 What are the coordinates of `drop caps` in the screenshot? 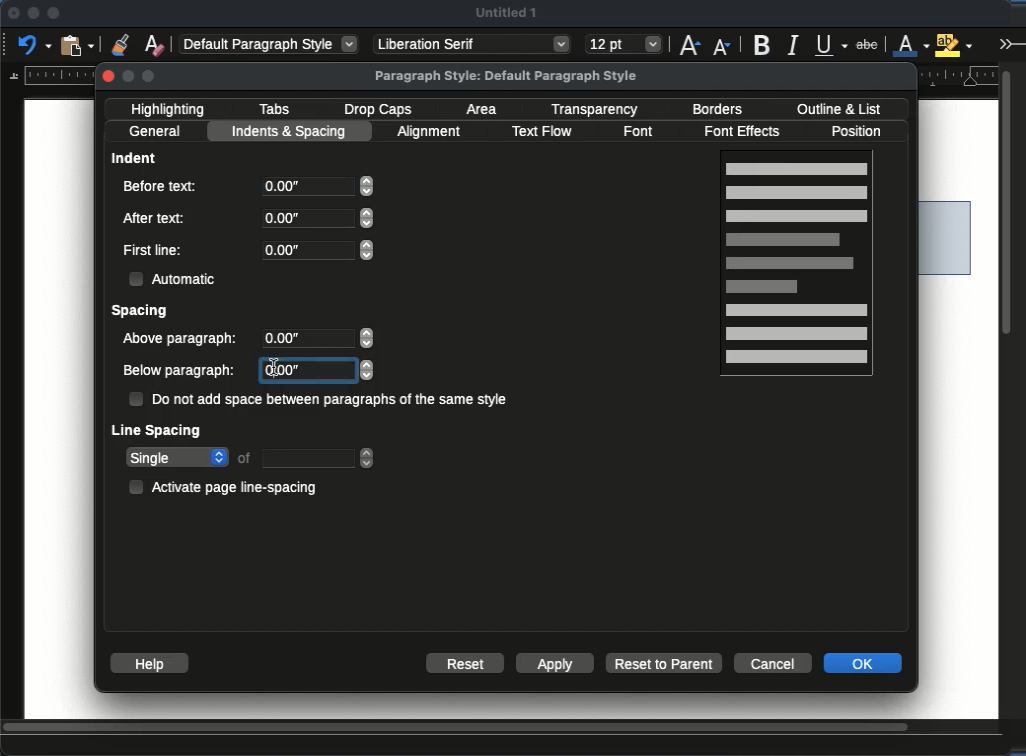 It's located at (378, 111).